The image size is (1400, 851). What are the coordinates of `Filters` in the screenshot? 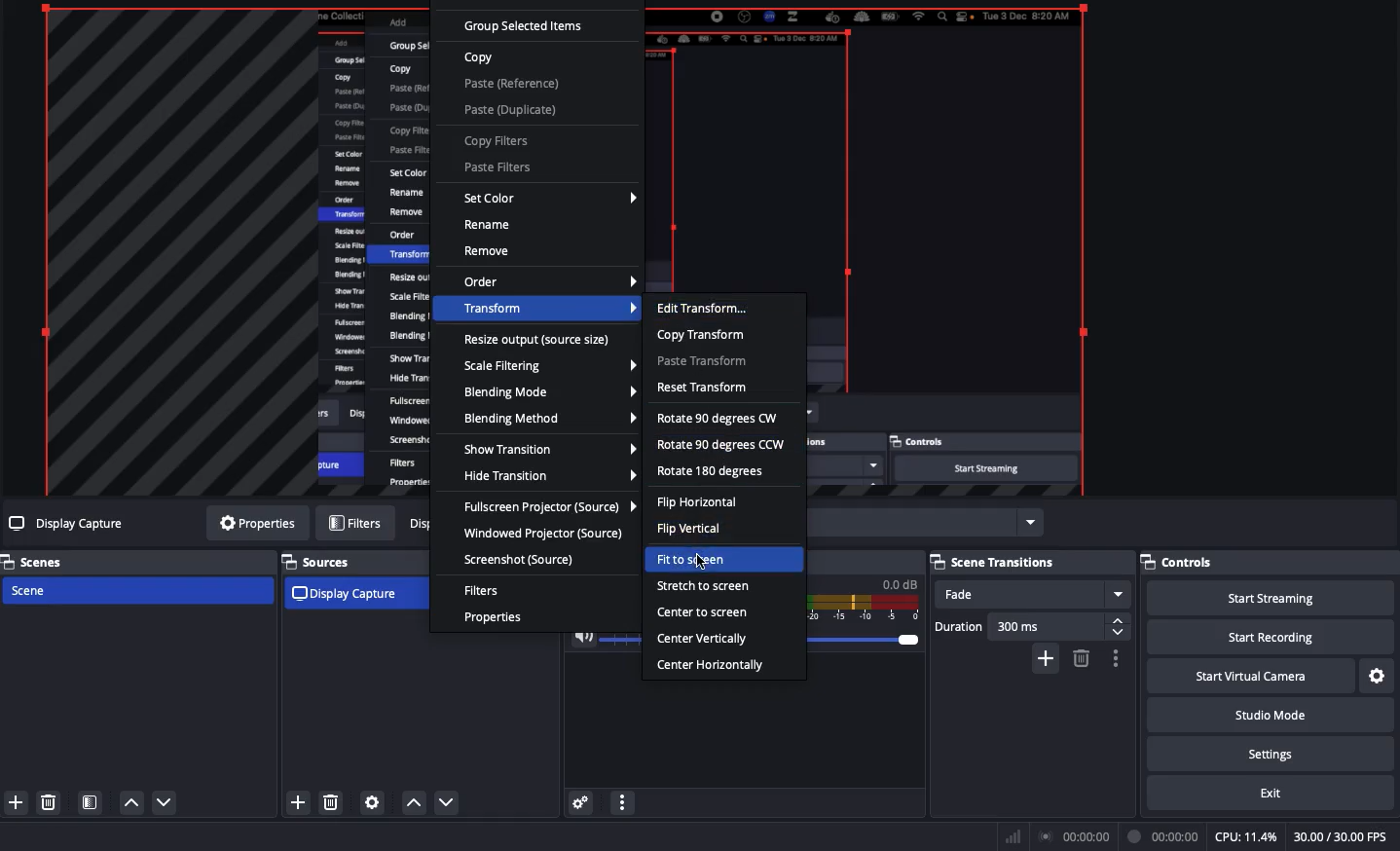 It's located at (483, 590).